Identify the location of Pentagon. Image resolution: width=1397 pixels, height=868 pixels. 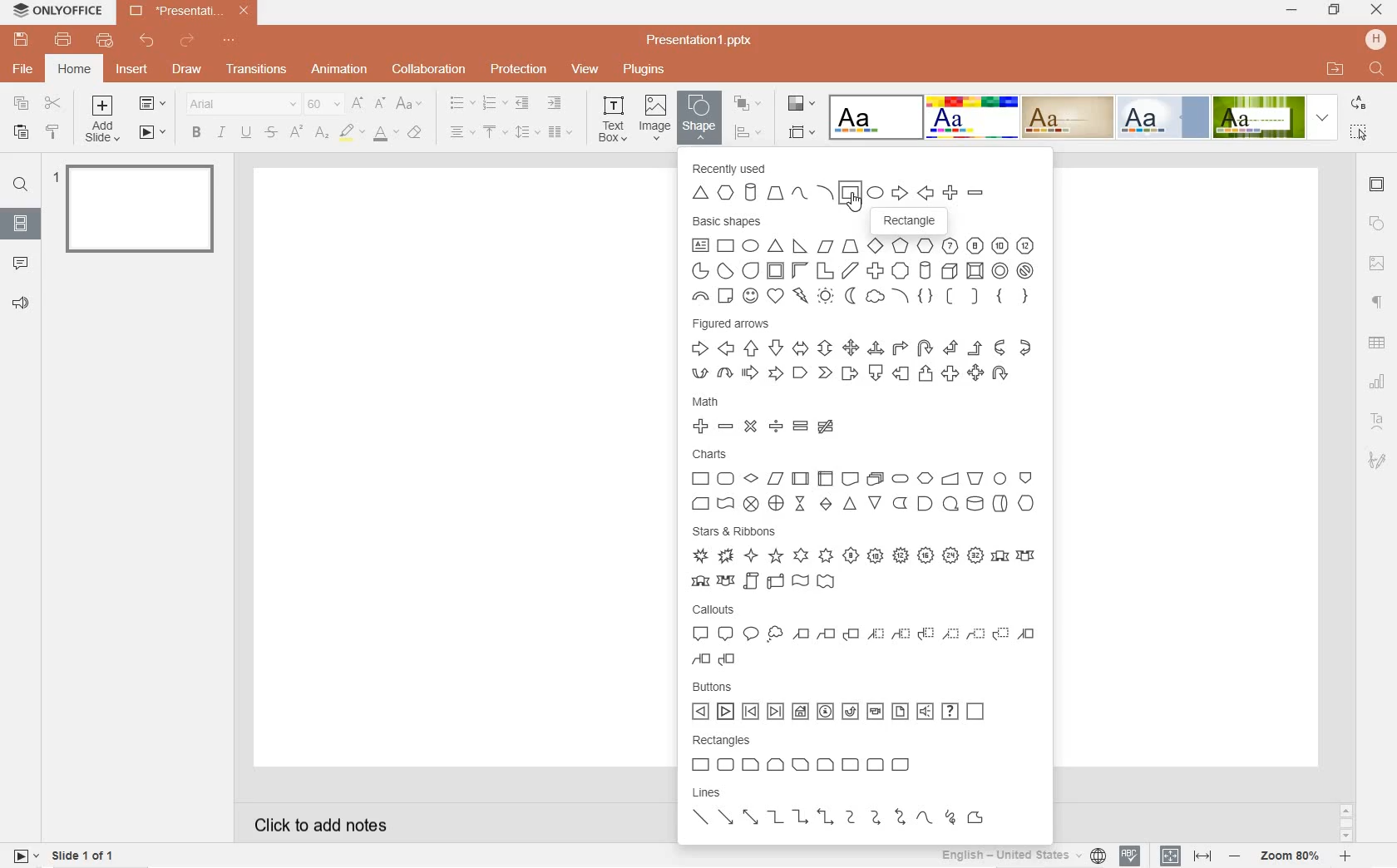
(901, 247).